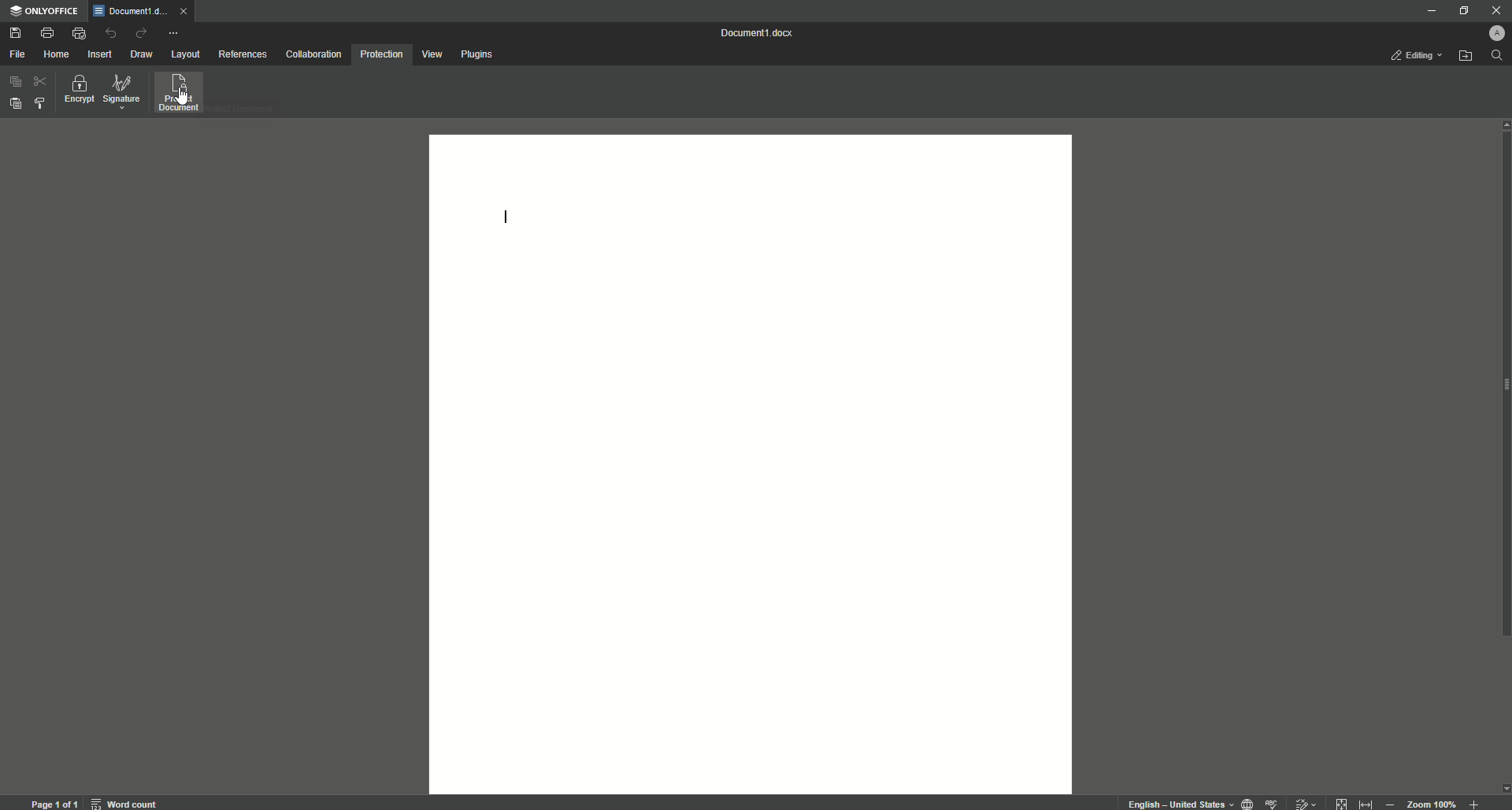 Image resolution: width=1512 pixels, height=810 pixels. Describe the element at coordinates (1503, 422) in the screenshot. I see `Scroll` at that location.